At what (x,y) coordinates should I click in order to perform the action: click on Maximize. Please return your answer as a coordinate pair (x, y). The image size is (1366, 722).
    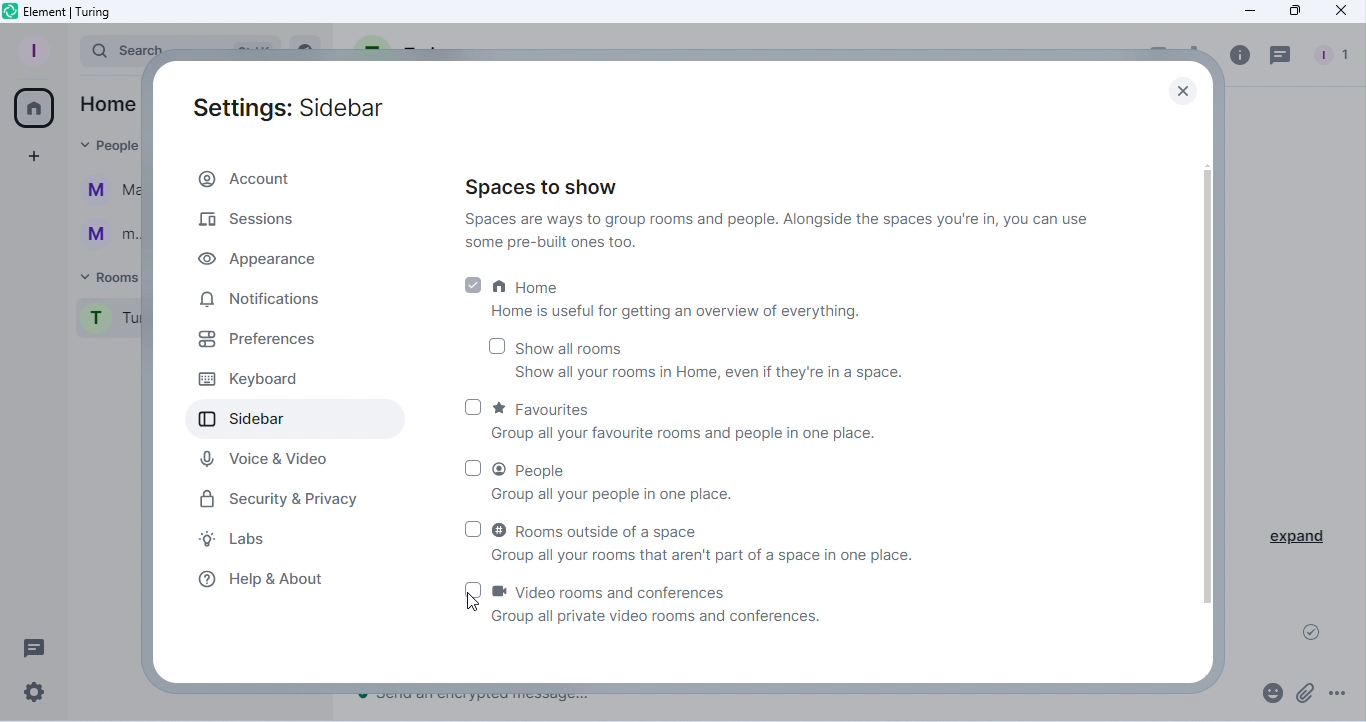
    Looking at the image, I should click on (1295, 11).